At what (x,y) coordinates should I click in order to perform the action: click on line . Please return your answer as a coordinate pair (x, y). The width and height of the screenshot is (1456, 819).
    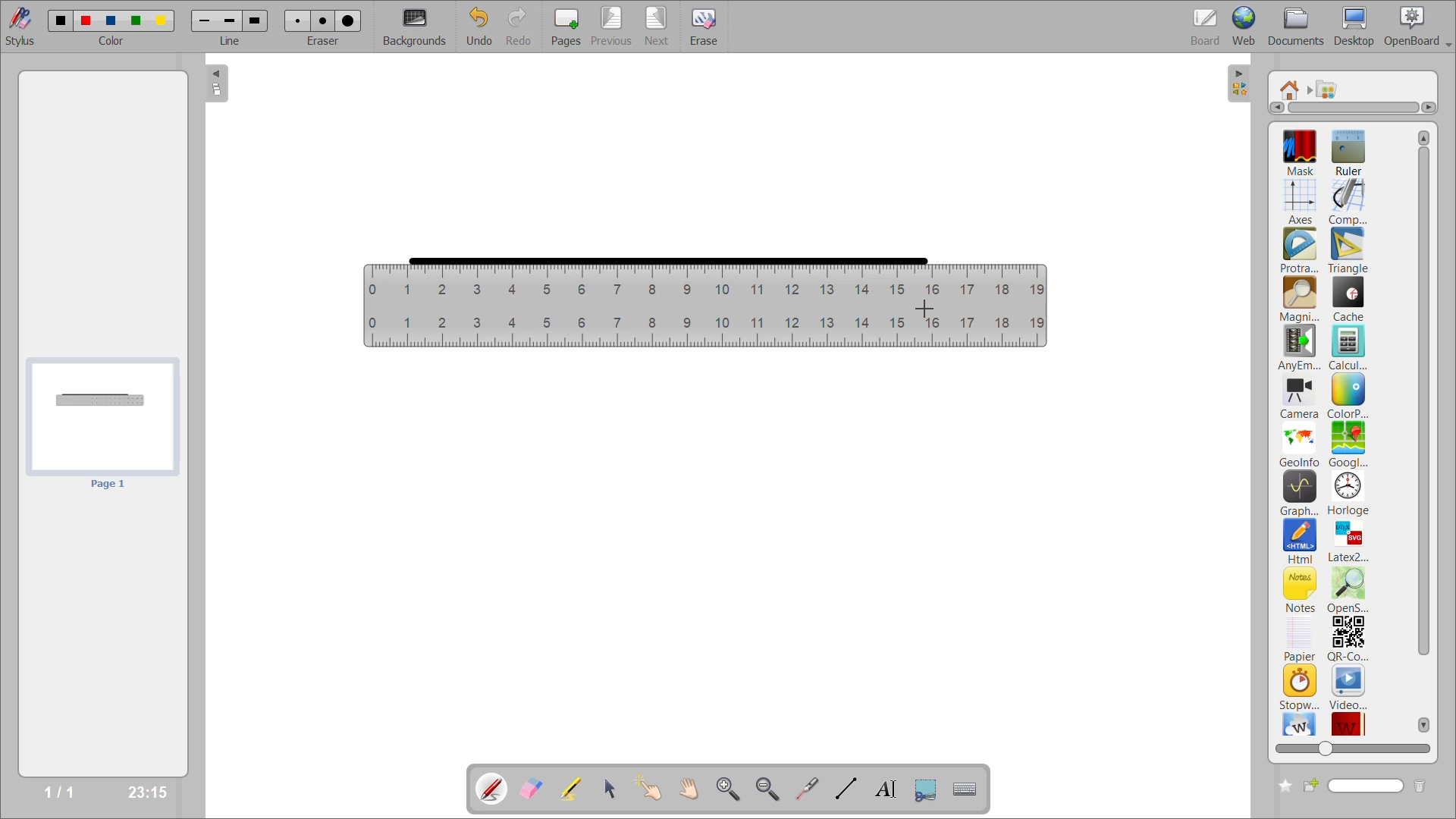
    Looking at the image, I should click on (231, 40).